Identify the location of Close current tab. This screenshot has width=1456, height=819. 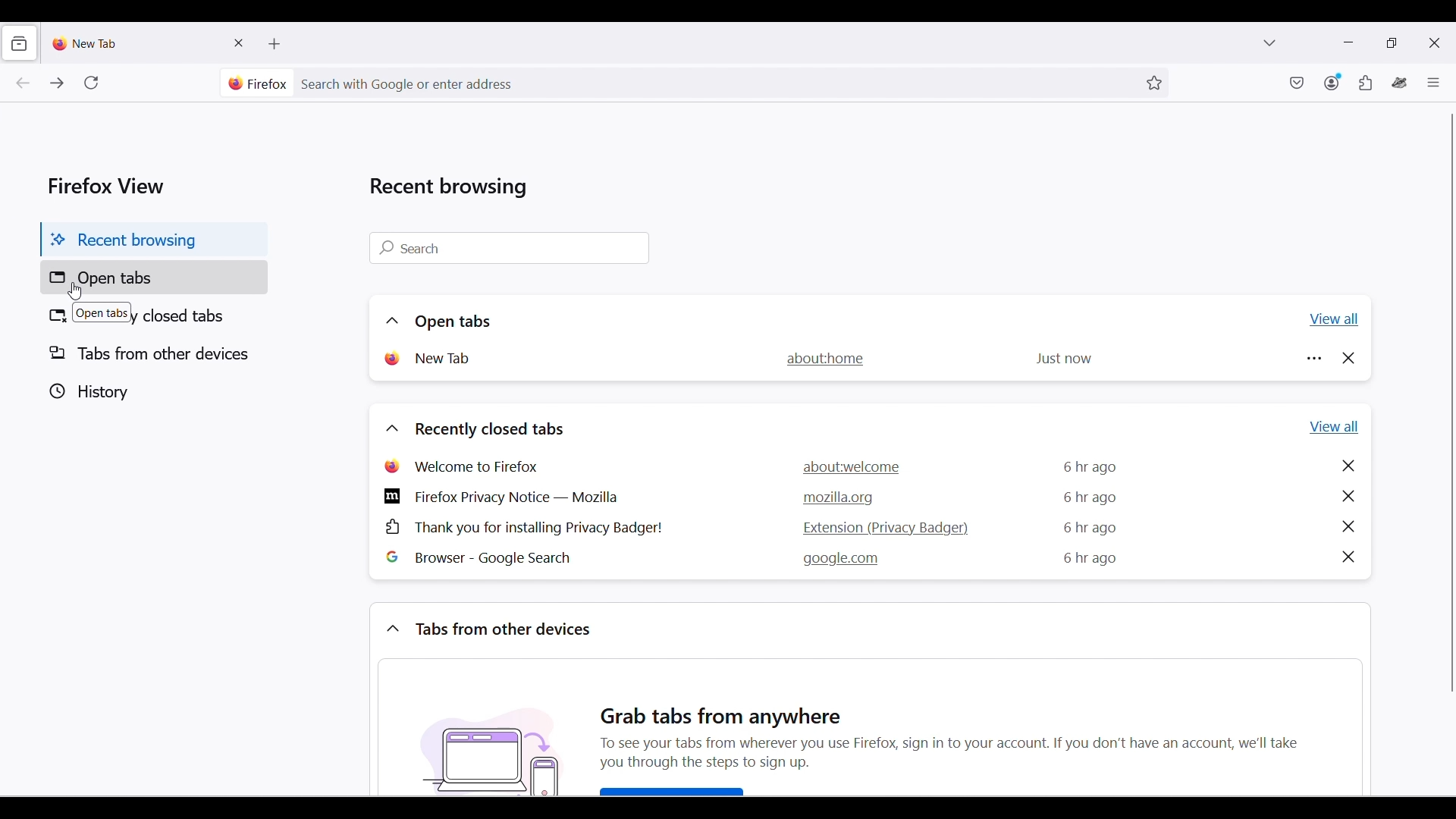
(240, 42).